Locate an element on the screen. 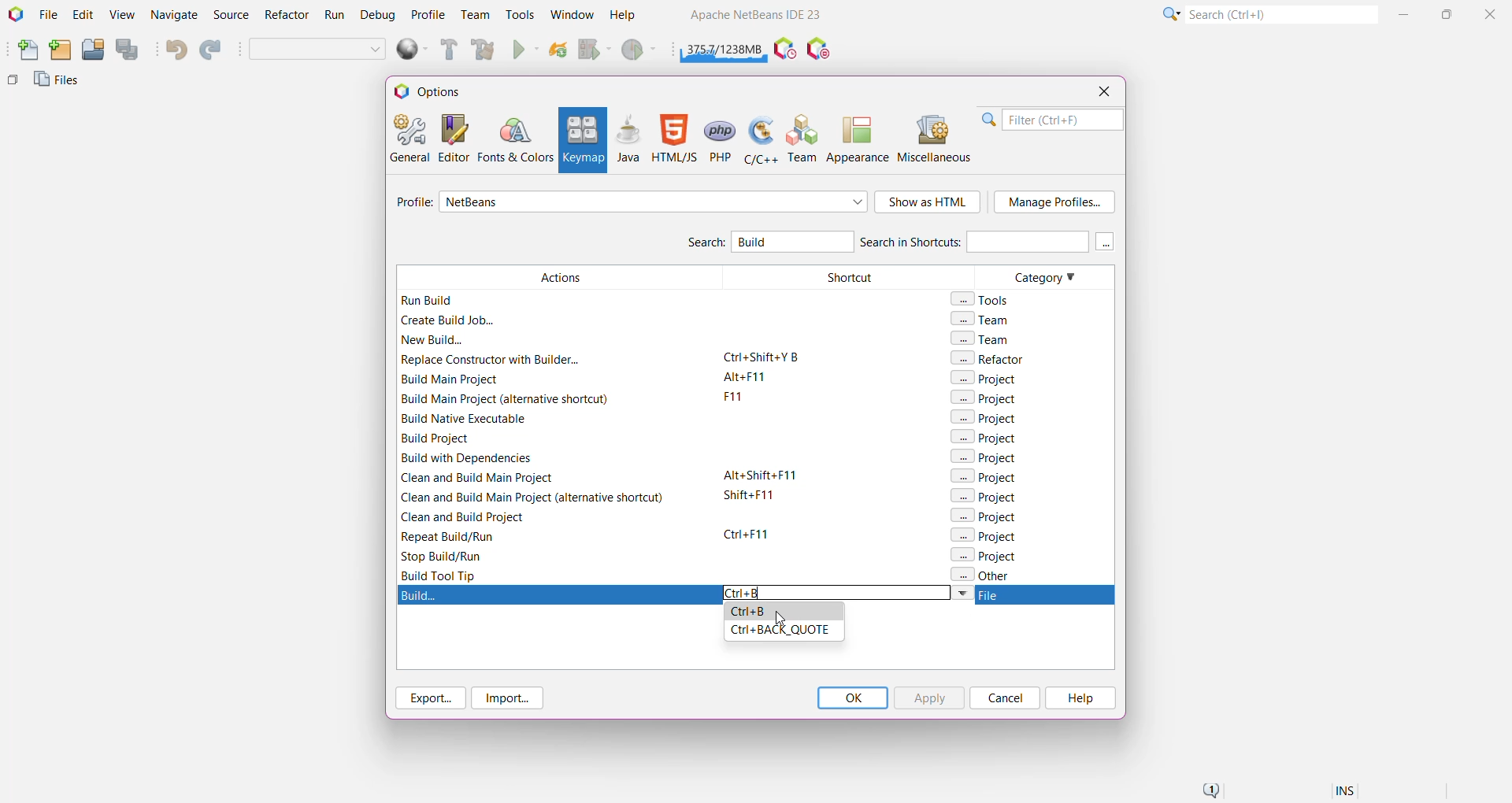 Image resolution: width=1512 pixels, height=803 pixels. Miscellaneous is located at coordinates (936, 139).